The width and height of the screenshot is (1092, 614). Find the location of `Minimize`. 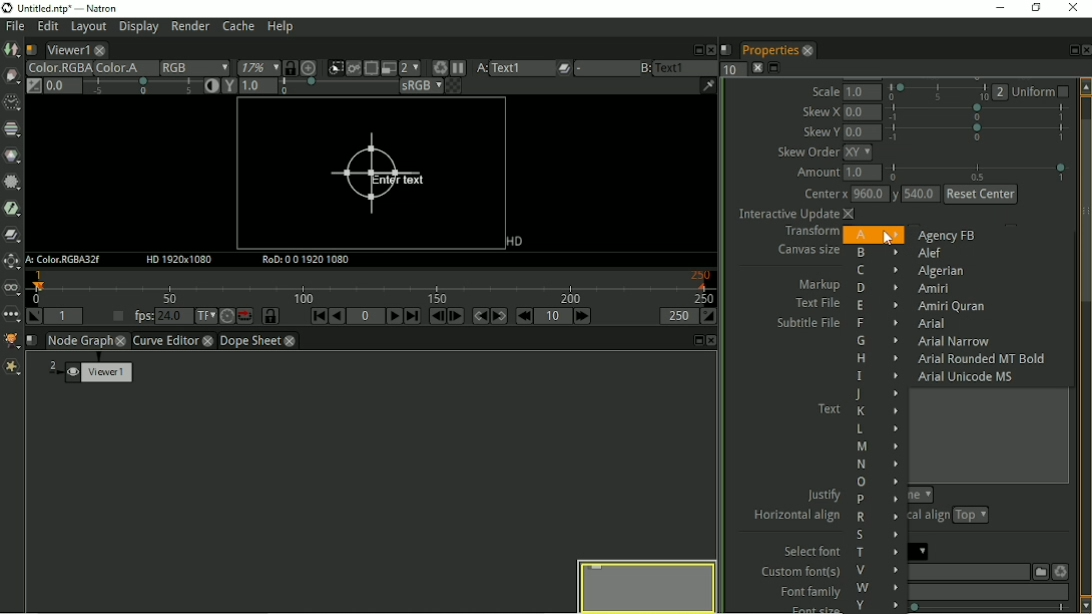

Minimize is located at coordinates (1003, 8).